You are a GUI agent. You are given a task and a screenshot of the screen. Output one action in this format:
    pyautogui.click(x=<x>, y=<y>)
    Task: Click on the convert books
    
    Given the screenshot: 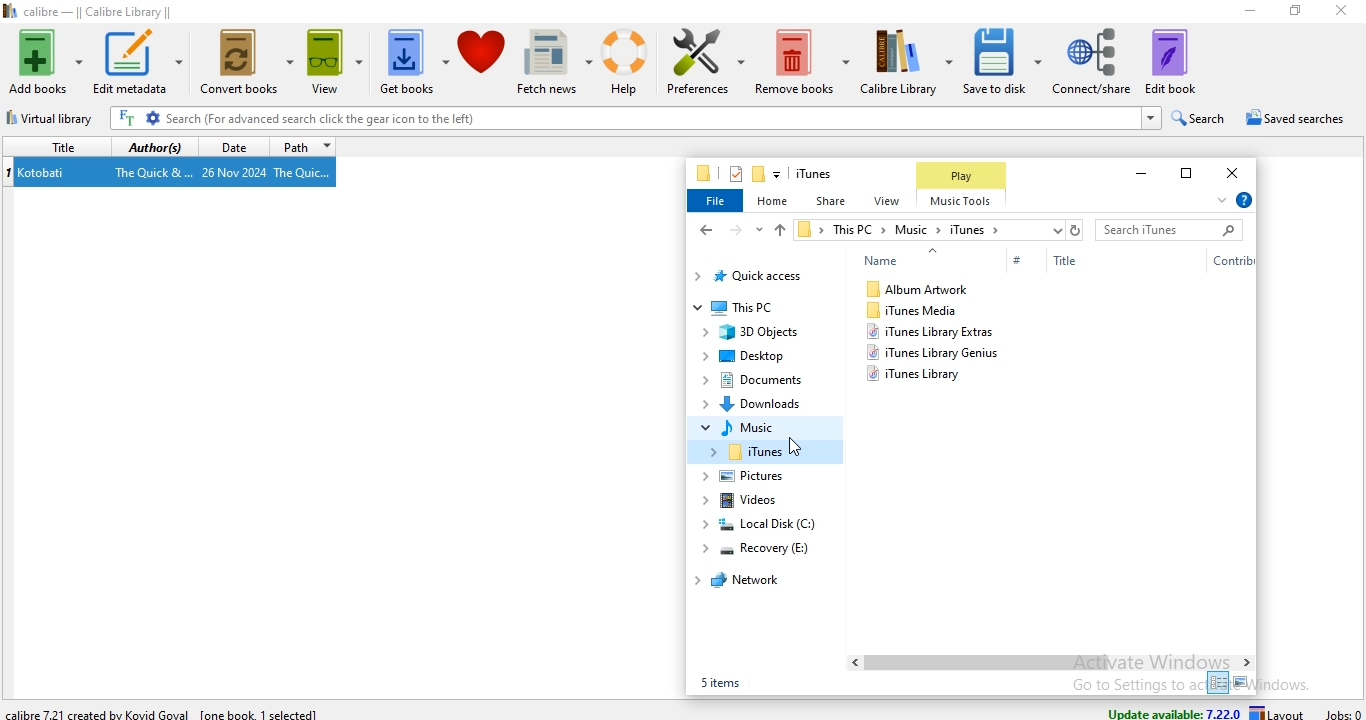 What is the action you would take?
    pyautogui.click(x=245, y=65)
    